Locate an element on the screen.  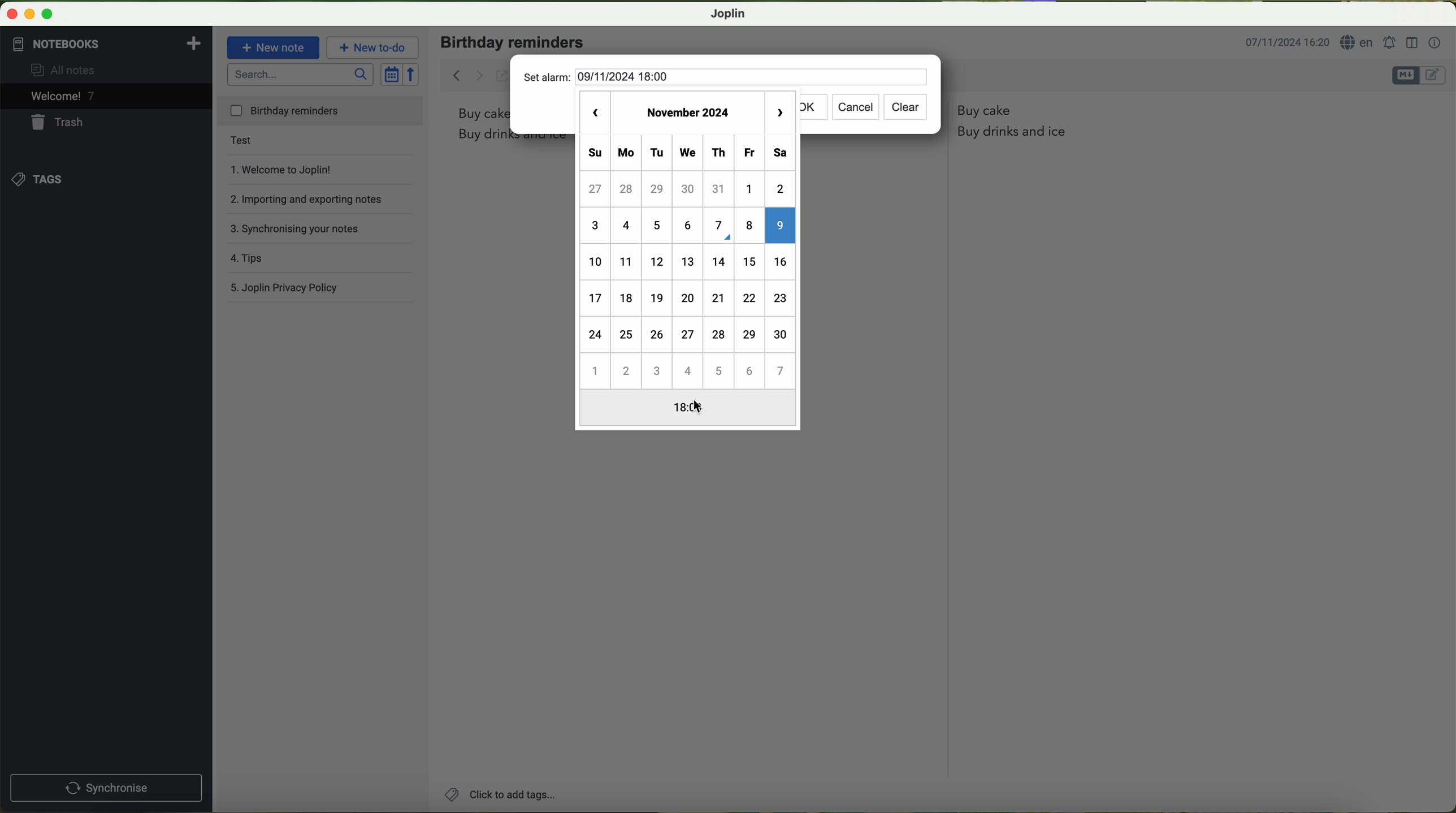
tips is located at coordinates (269, 254).